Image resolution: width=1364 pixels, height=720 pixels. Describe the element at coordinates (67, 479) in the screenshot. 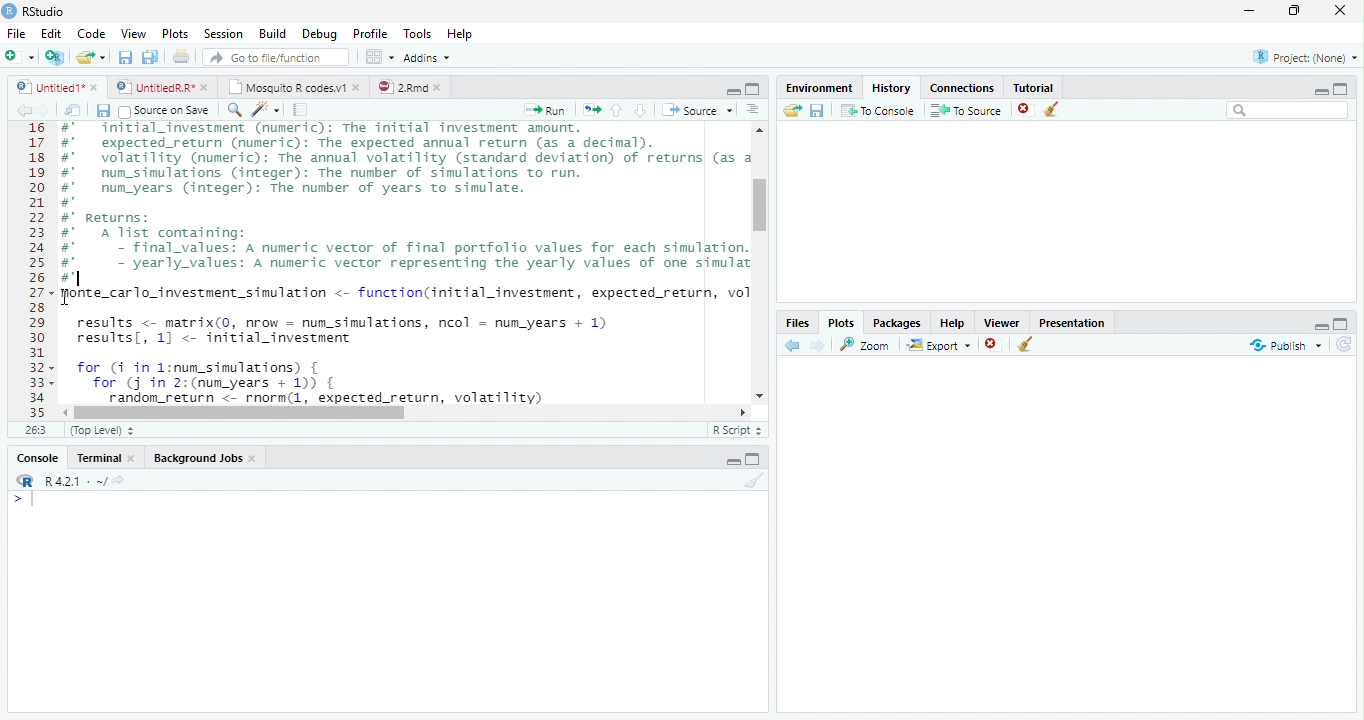

I see `R 4.2.1 ~/` at that location.